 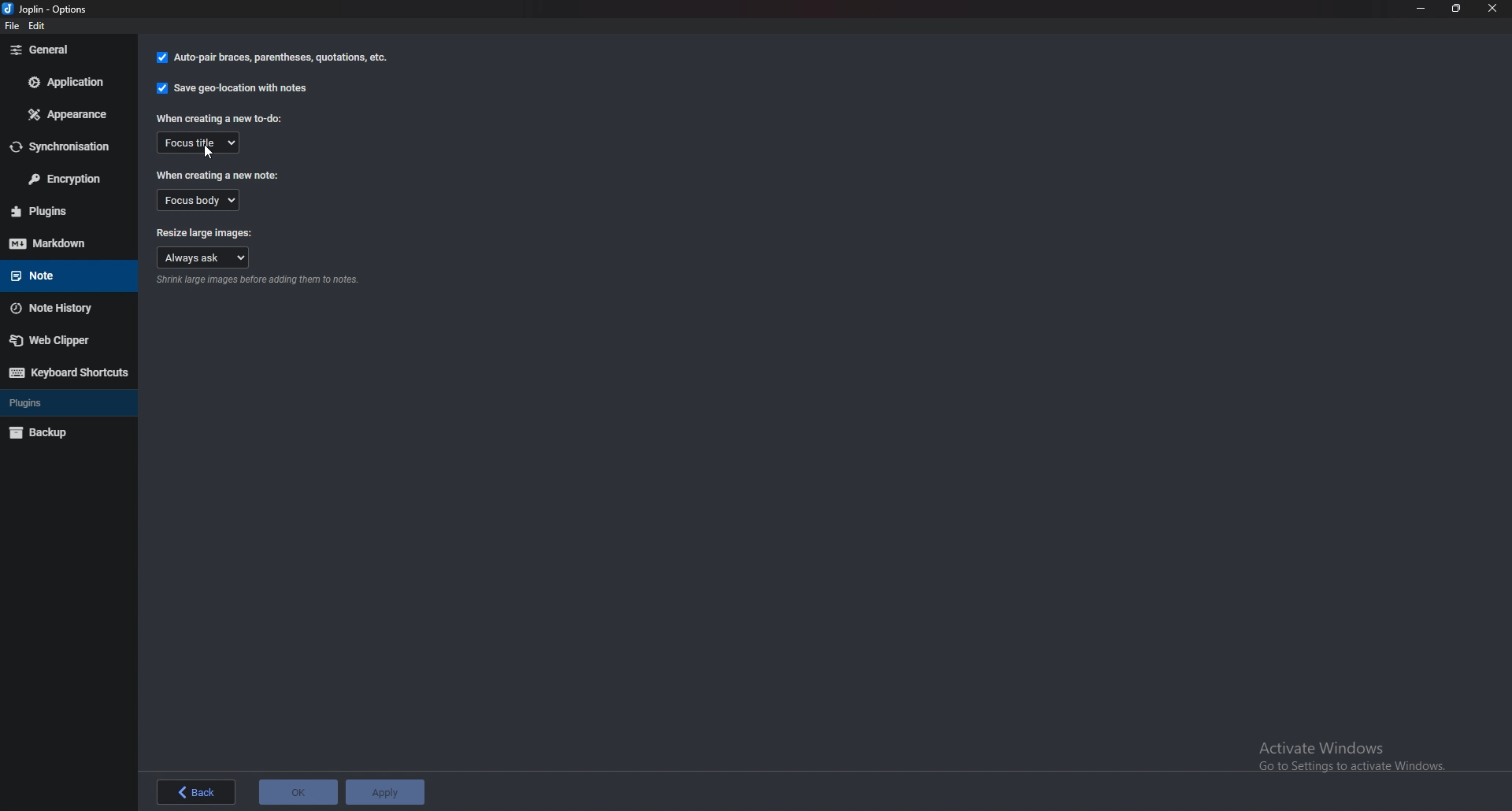 I want to click on edit, so click(x=44, y=25).